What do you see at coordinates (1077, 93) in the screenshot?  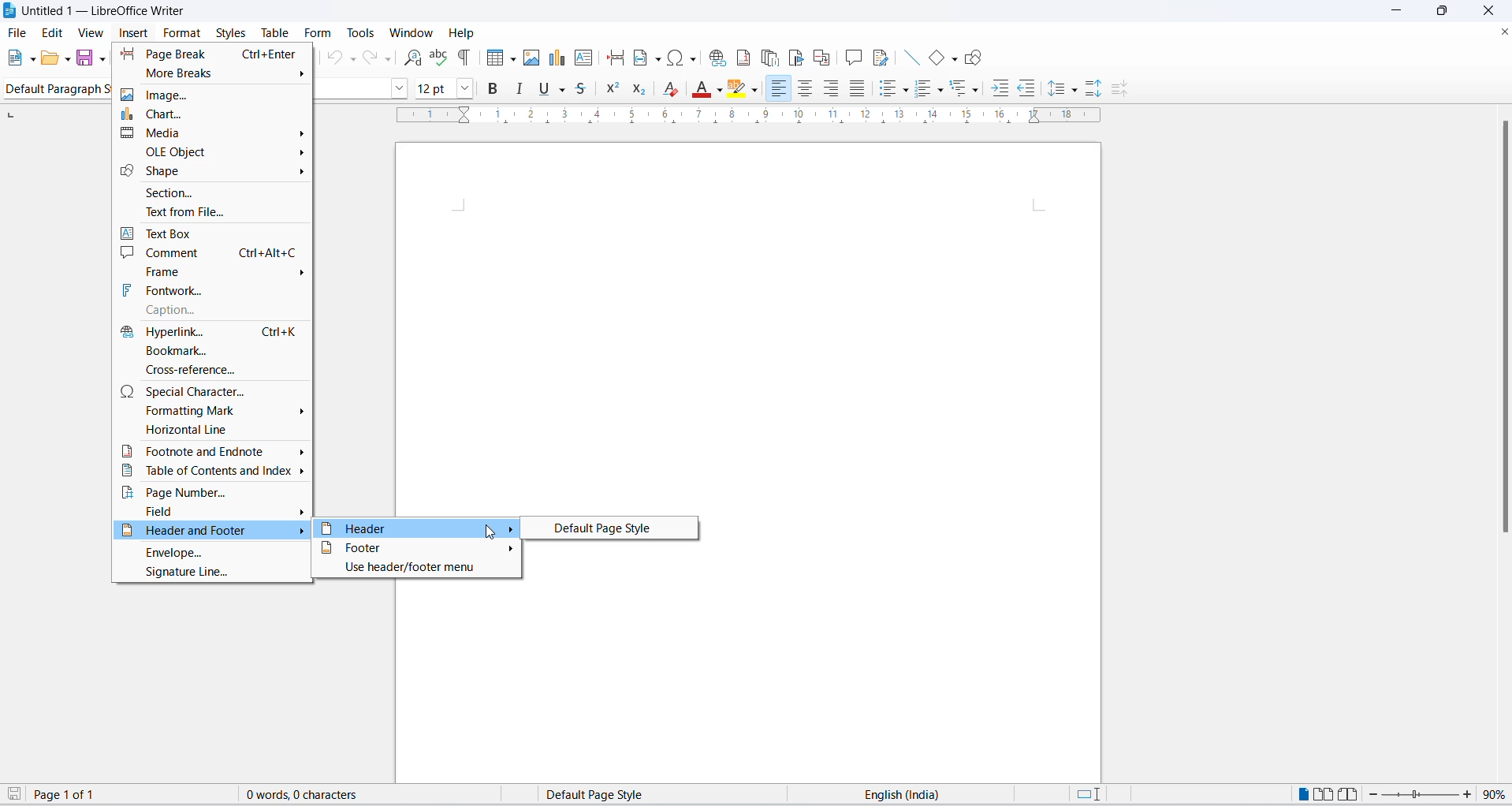 I see `line spacing options` at bounding box center [1077, 93].